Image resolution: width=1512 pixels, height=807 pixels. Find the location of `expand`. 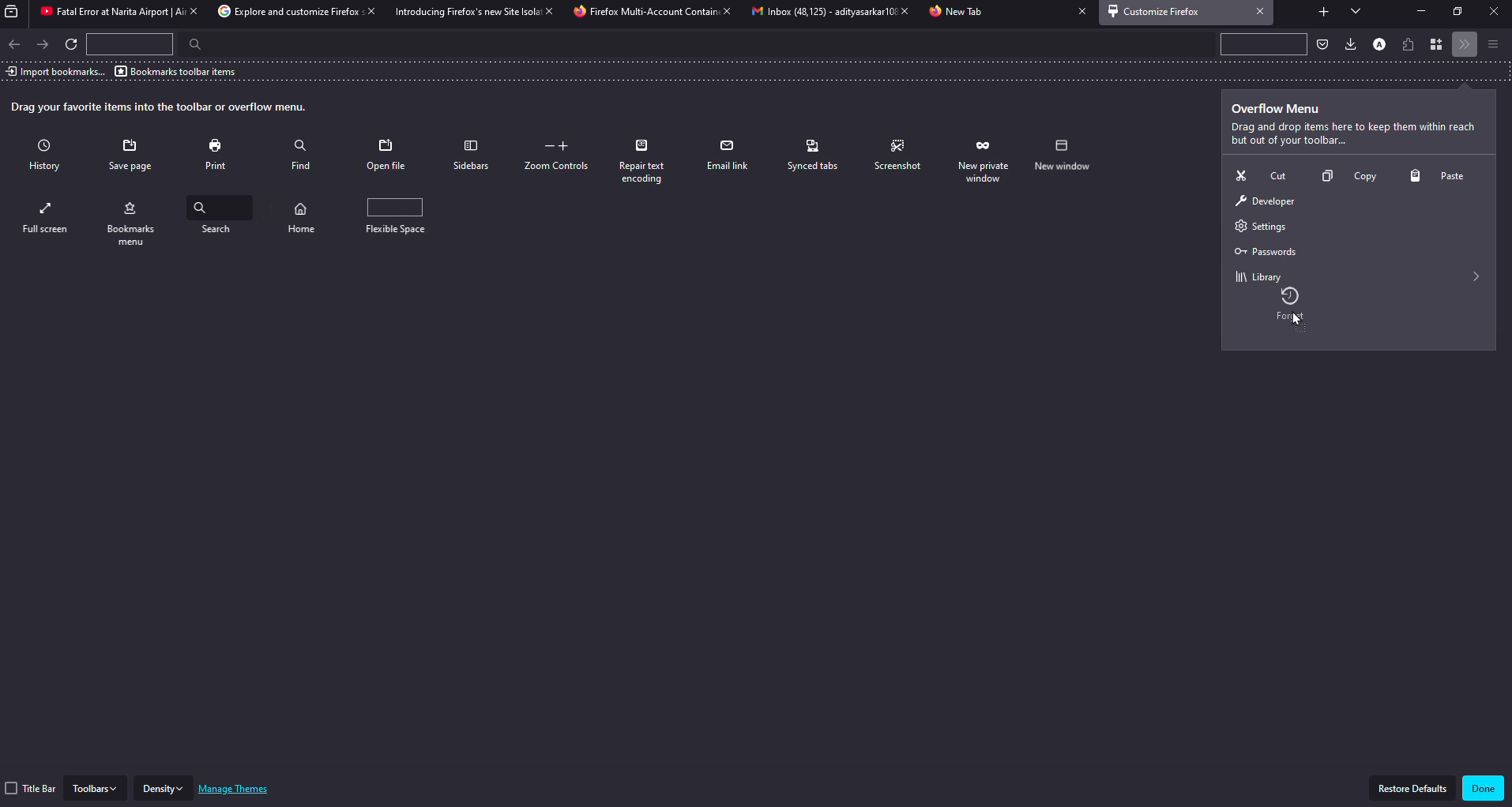

expand is located at coordinates (1477, 276).